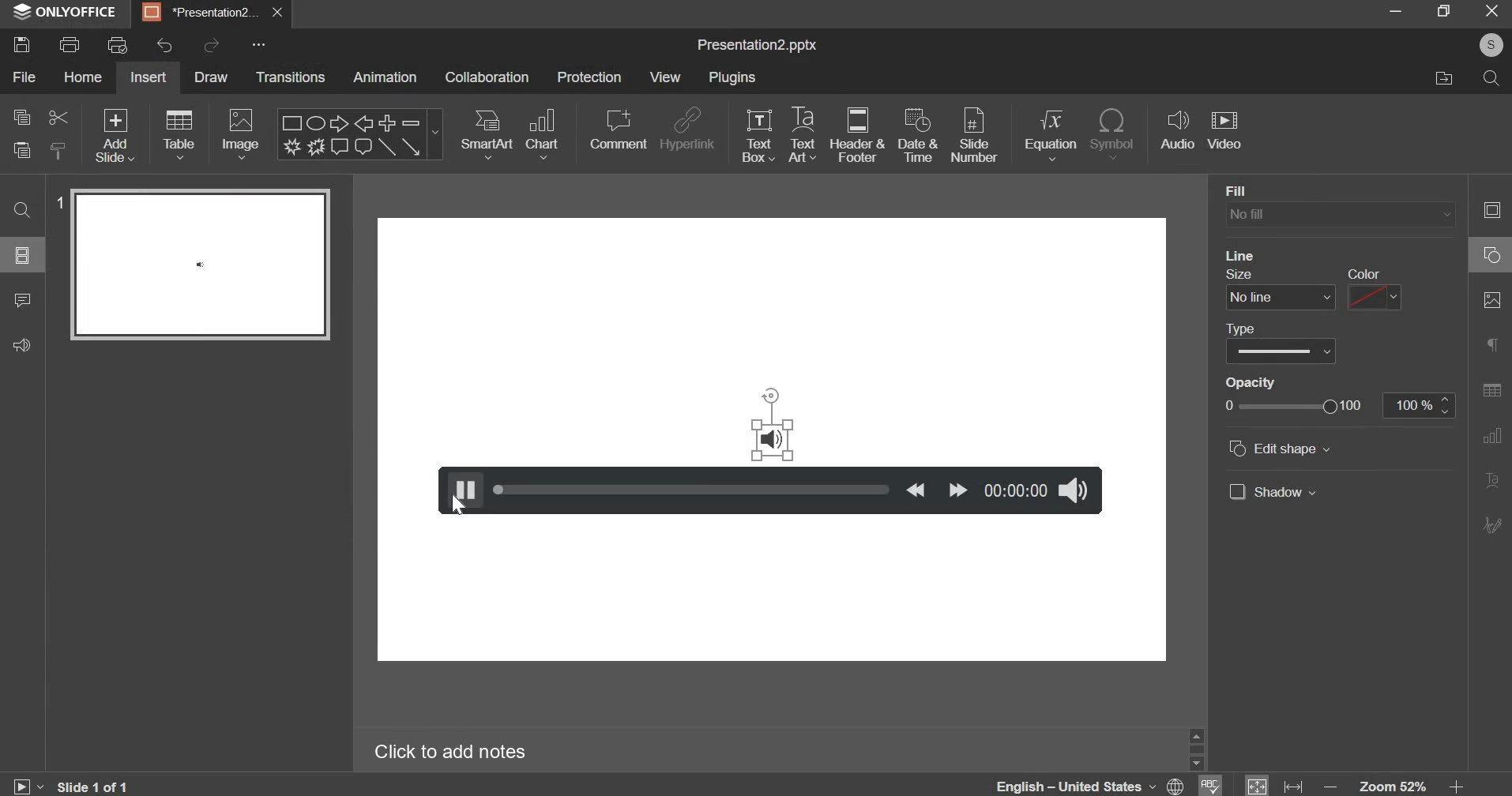  Describe the element at coordinates (1251, 383) in the screenshot. I see `opacity` at that location.